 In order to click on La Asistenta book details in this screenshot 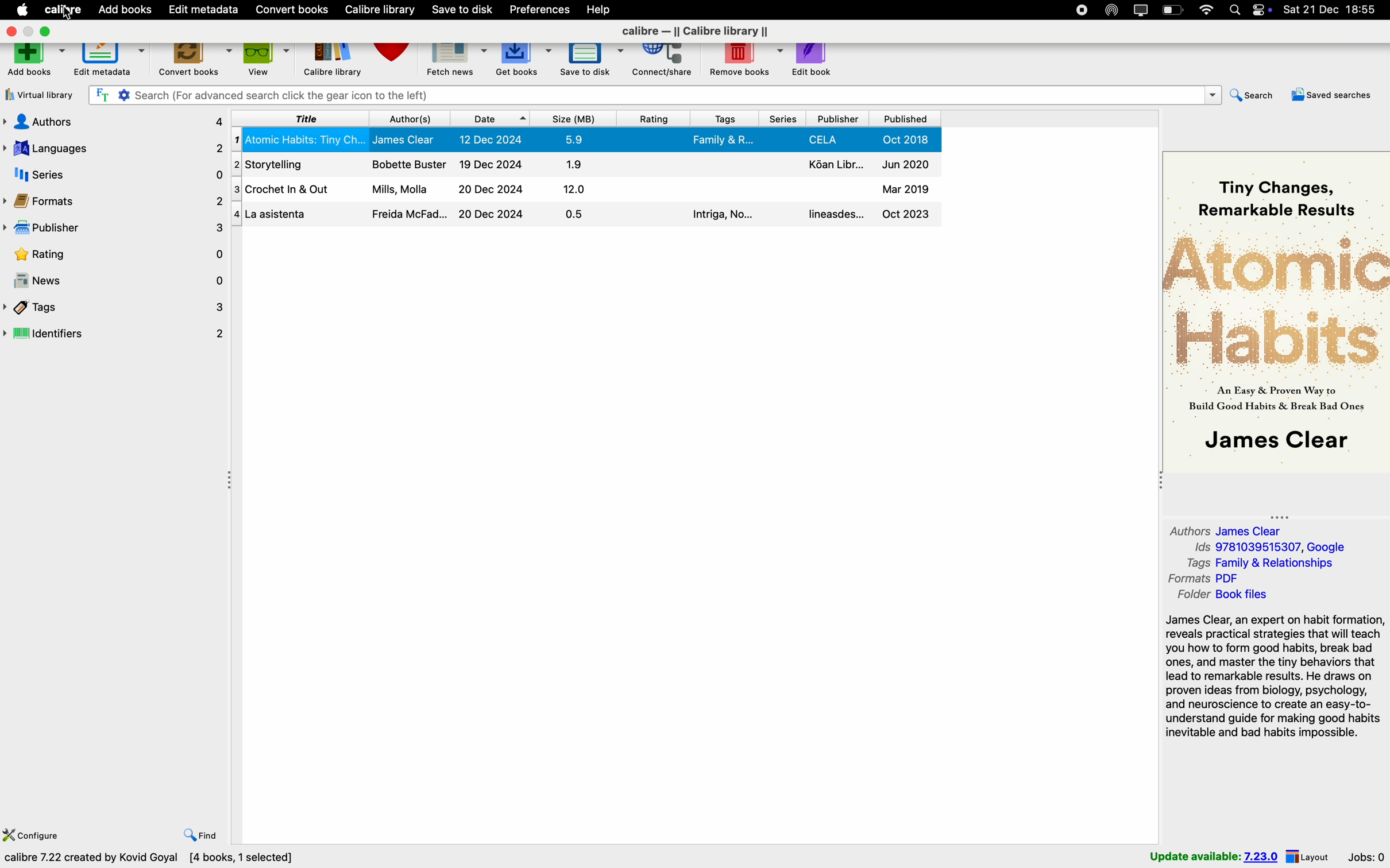, I will do `click(586, 215)`.